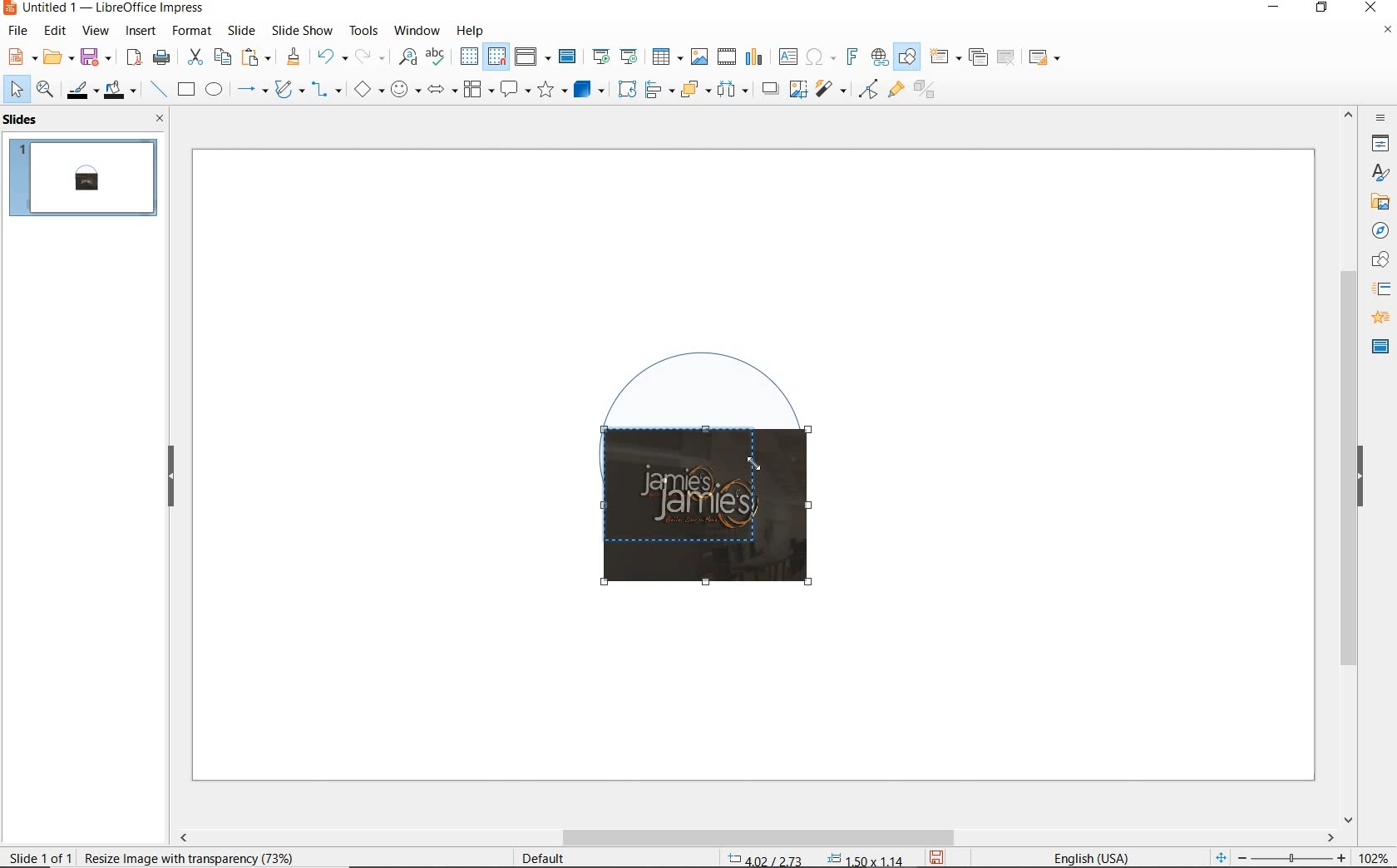 This screenshot has height=868, width=1397. I want to click on scrollbar, so click(755, 837).